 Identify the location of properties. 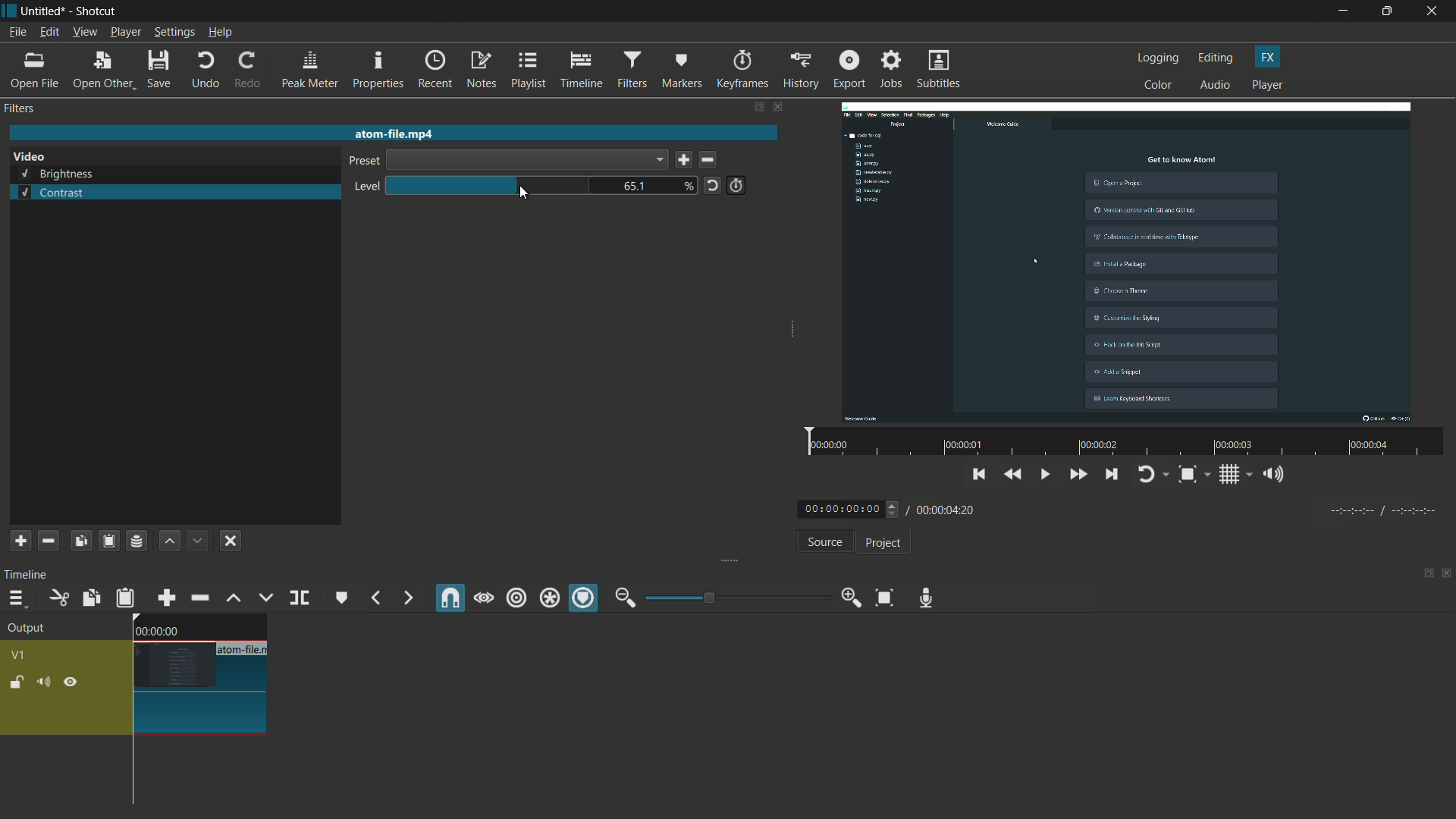
(378, 71).